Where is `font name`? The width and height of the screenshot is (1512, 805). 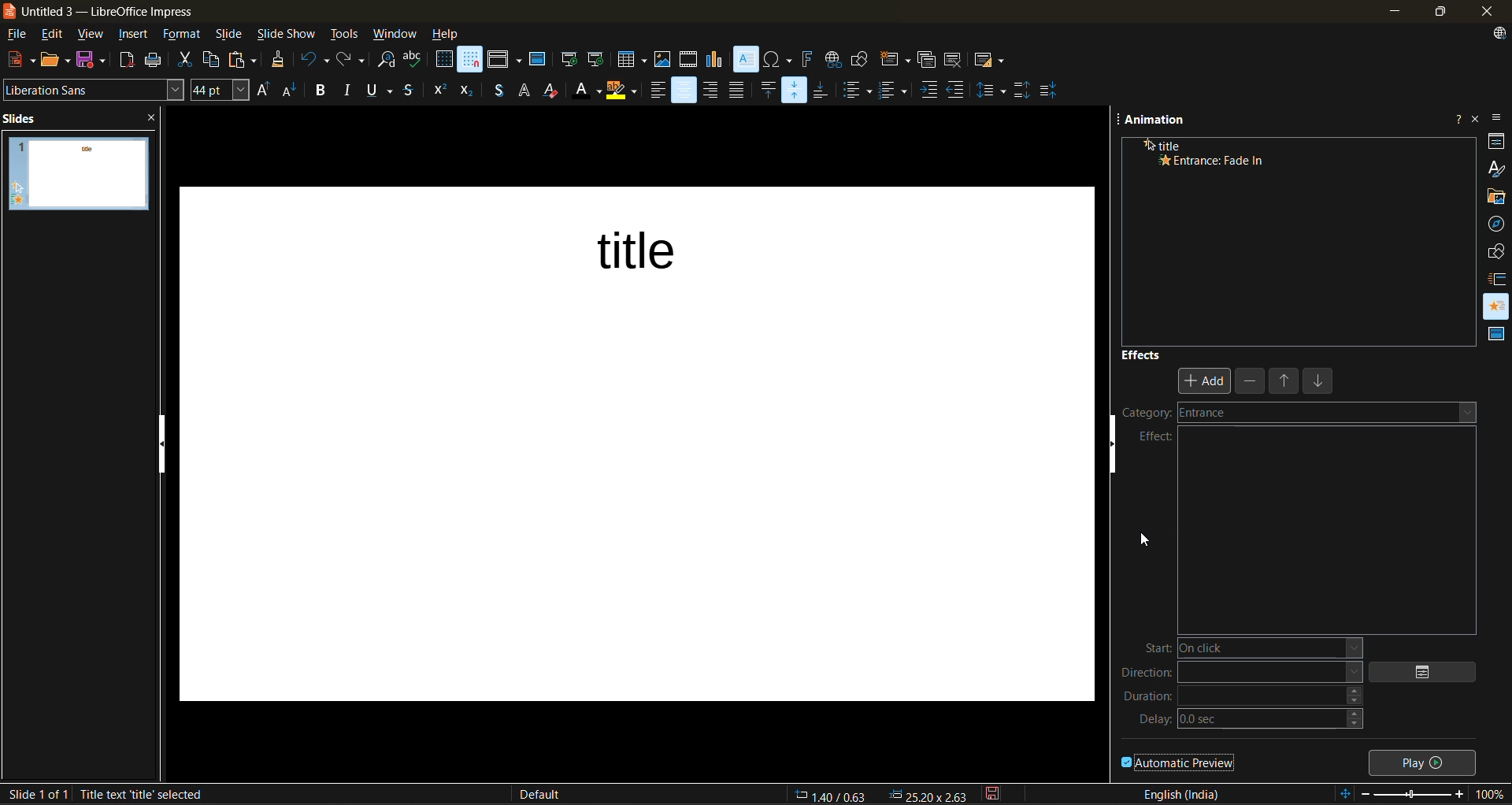
font name is located at coordinates (94, 88).